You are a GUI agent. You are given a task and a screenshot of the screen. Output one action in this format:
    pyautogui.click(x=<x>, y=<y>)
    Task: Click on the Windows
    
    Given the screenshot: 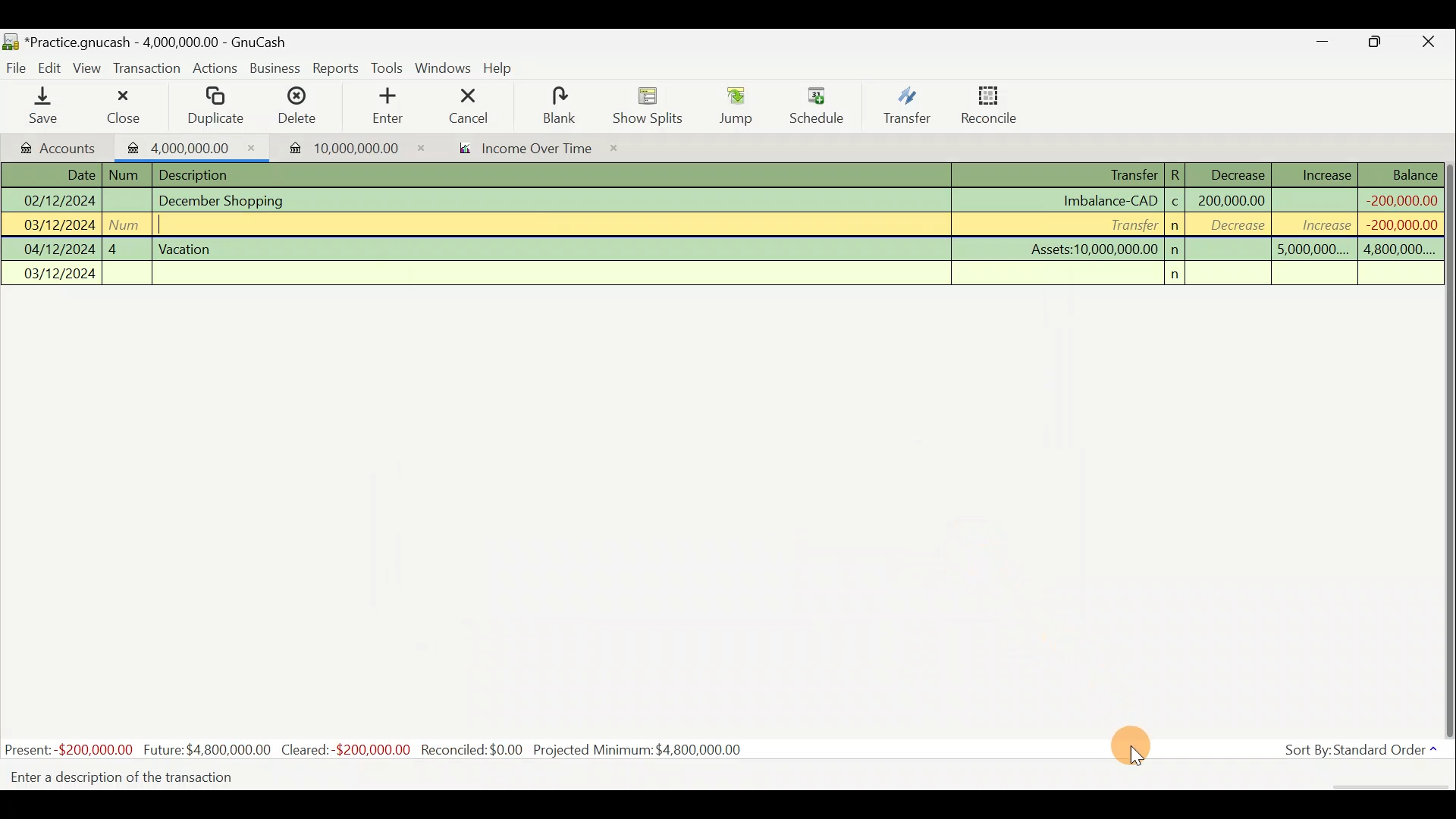 What is the action you would take?
    pyautogui.click(x=443, y=68)
    